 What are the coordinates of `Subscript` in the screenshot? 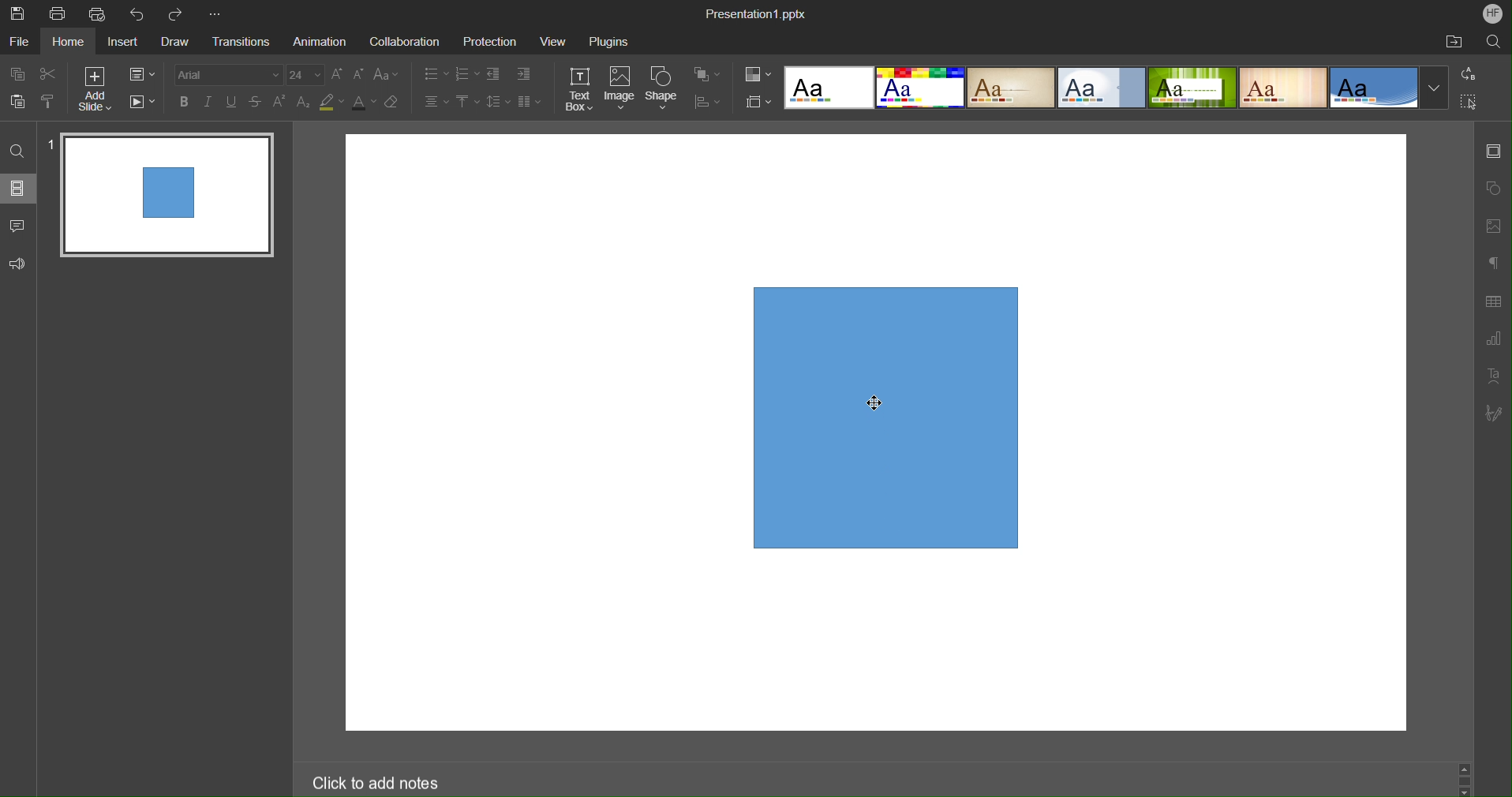 It's located at (304, 102).